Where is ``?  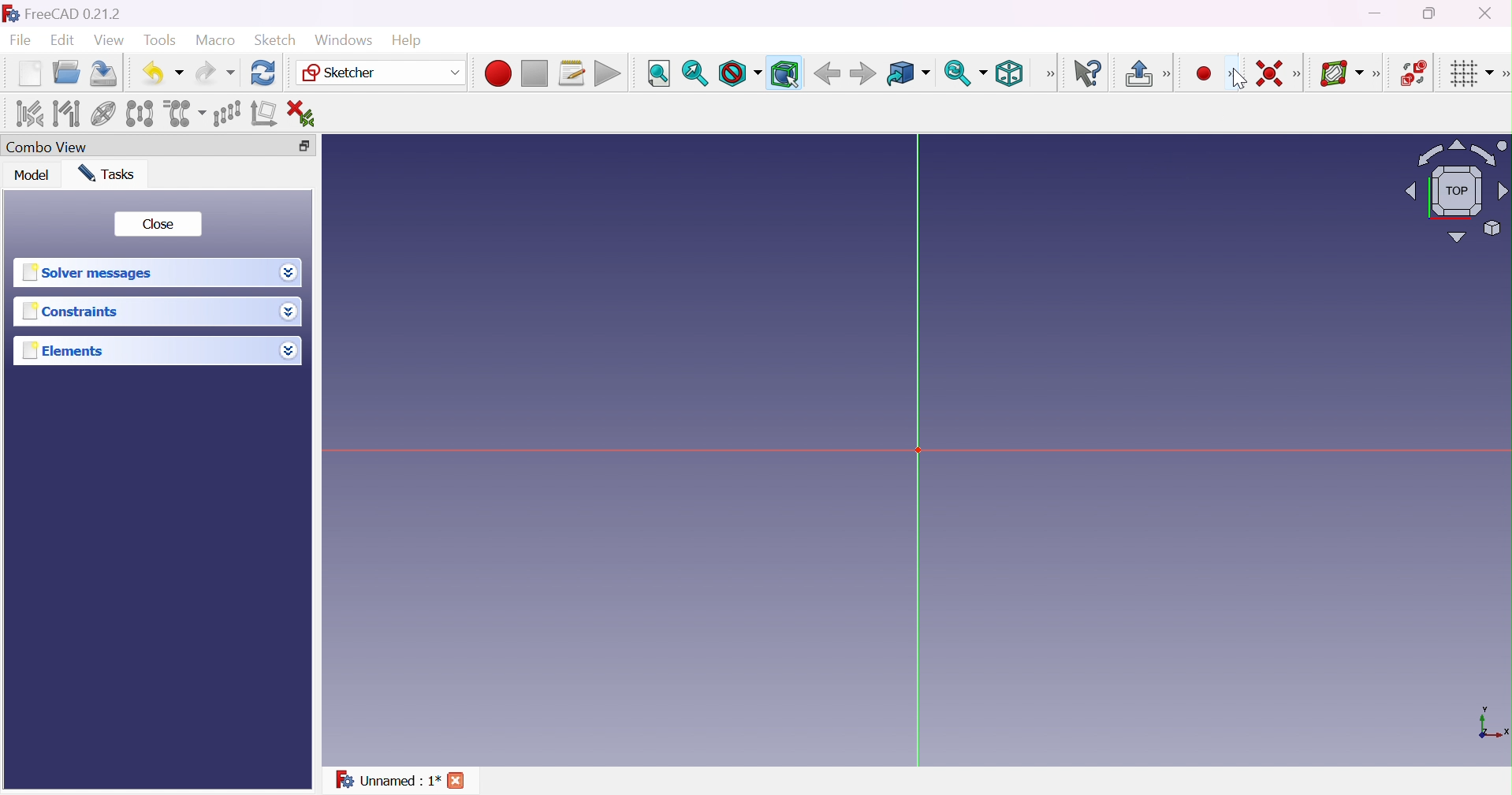  is located at coordinates (1138, 73).